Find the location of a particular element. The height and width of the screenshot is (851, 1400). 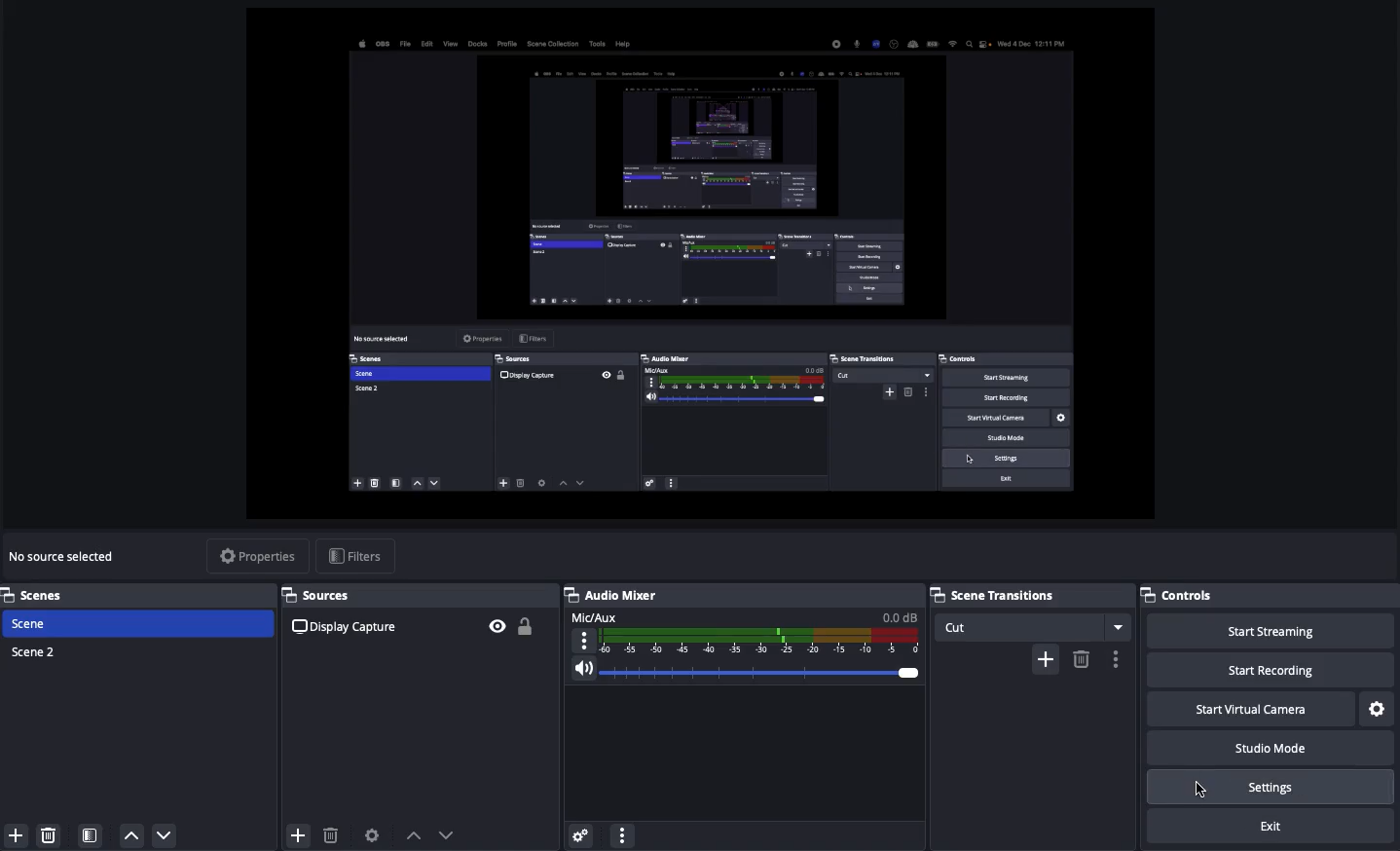

Visible is located at coordinates (498, 627).